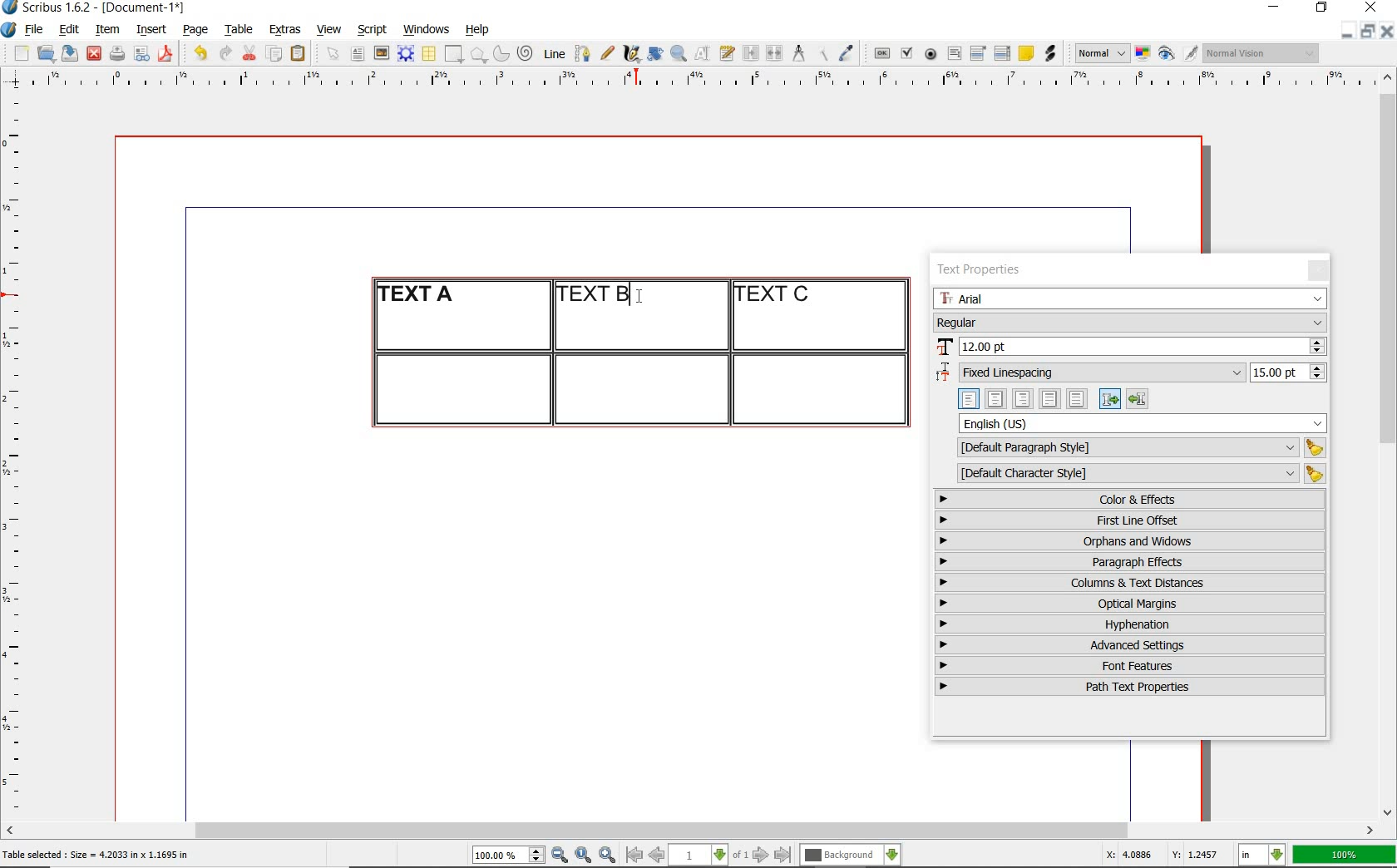 This screenshot has height=868, width=1397. What do you see at coordinates (656, 856) in the screenshot?
I see `go to previous page` at bounding box center [656, 856].